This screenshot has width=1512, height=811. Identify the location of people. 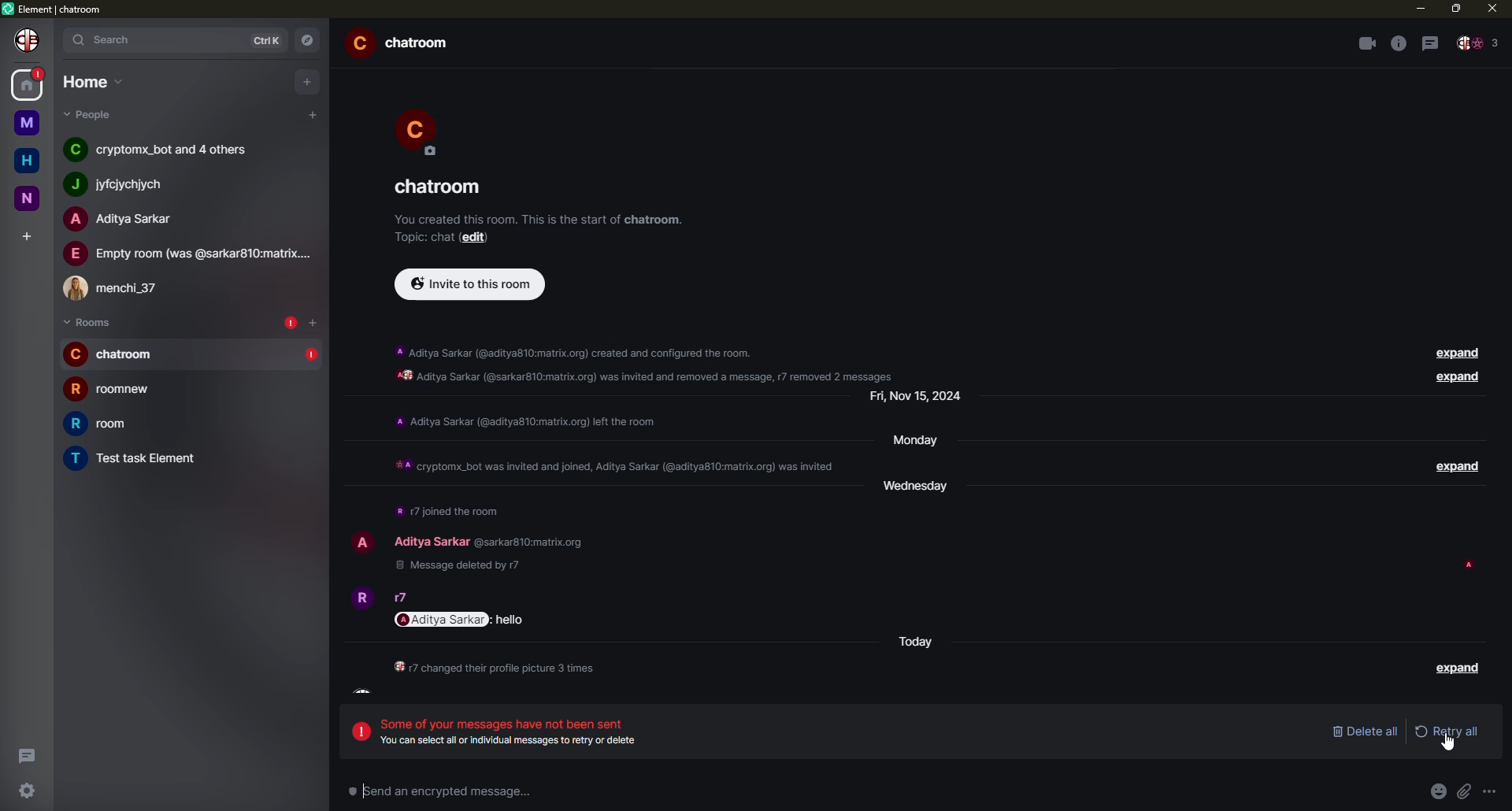
(1480, 43).